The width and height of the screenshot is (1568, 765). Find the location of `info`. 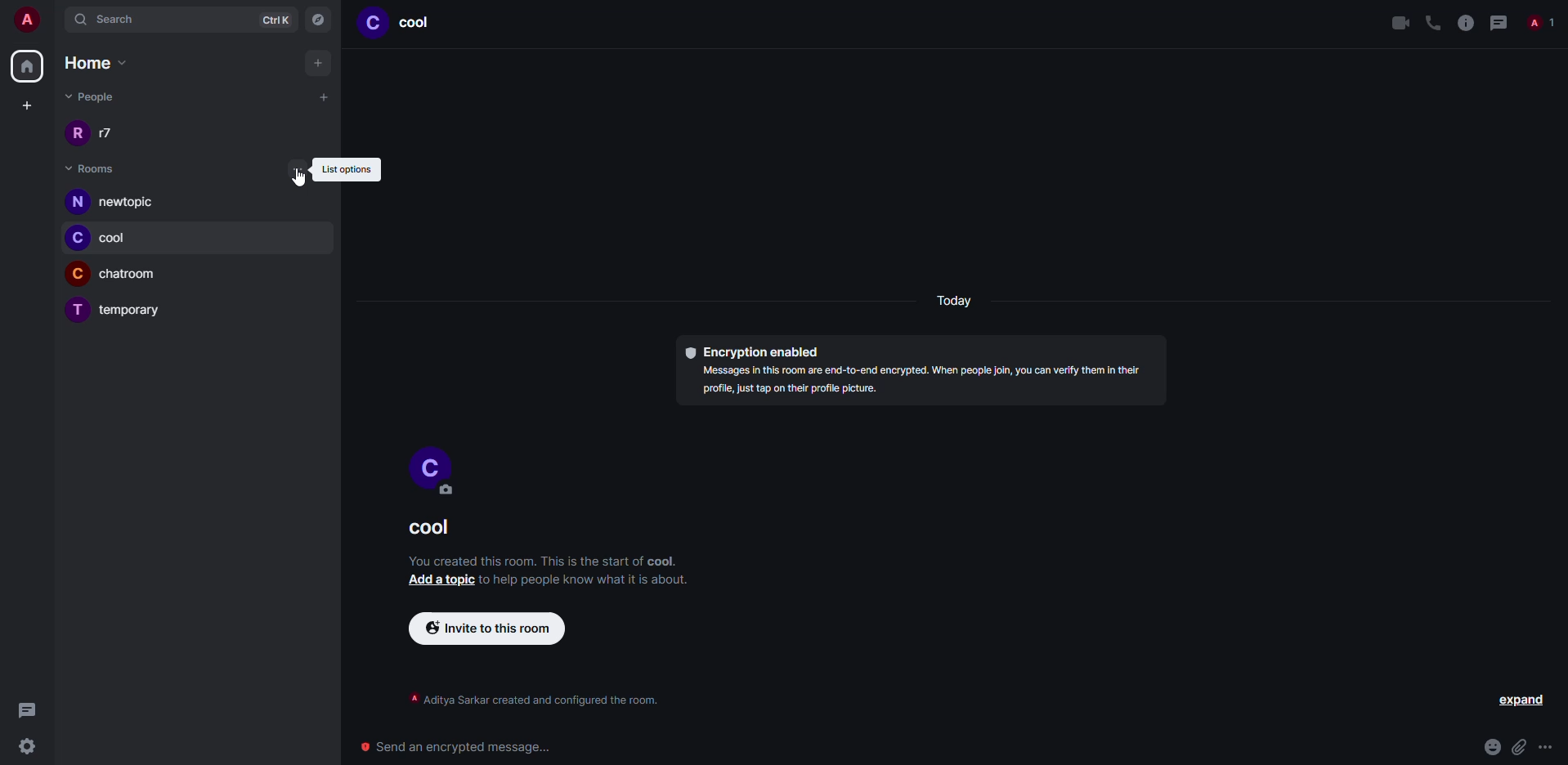

info is located at coordinates (540, 696).